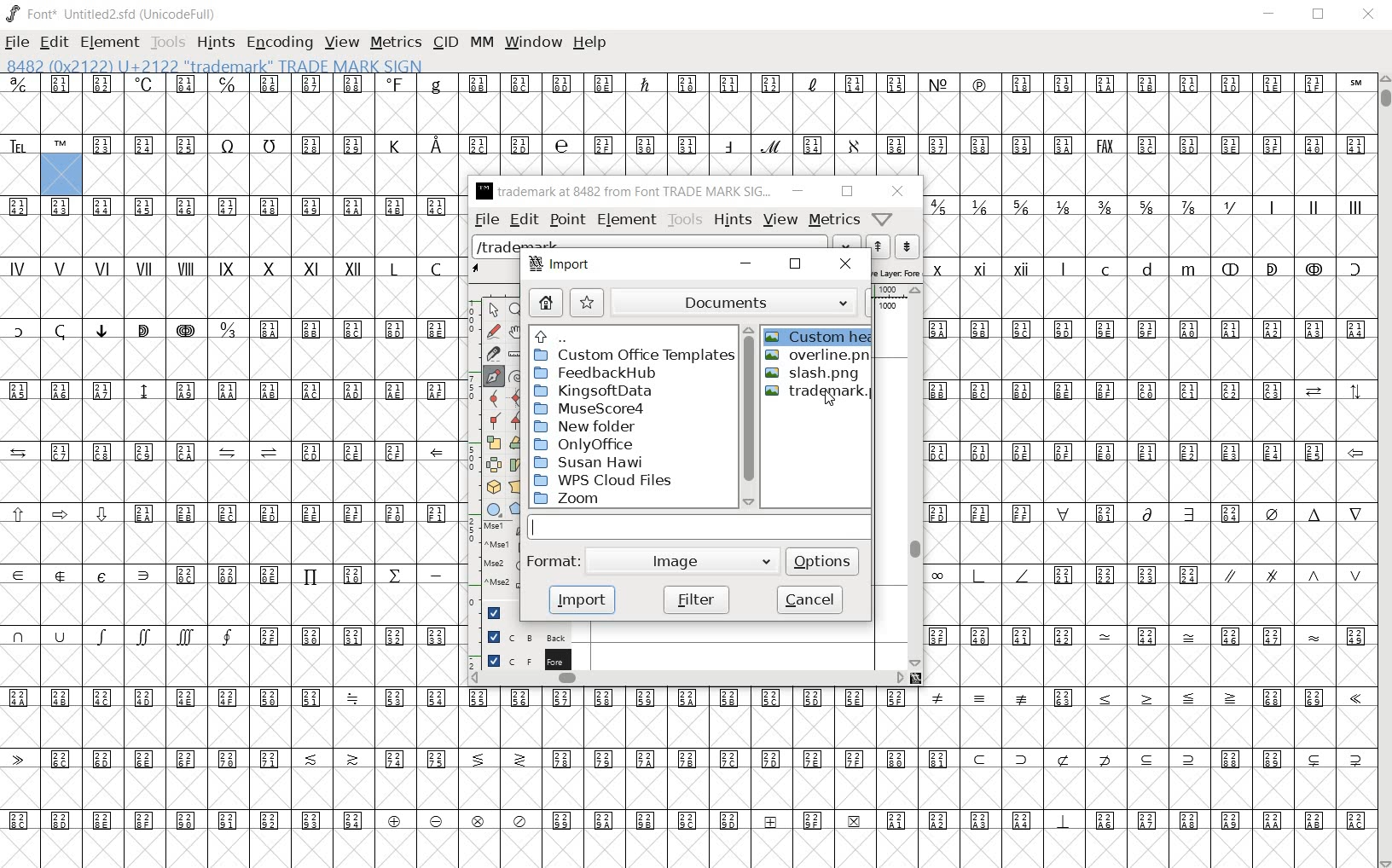 The width and height of the screenshot is (1392, 868). I want to click on special characters, so click(1208, 286).